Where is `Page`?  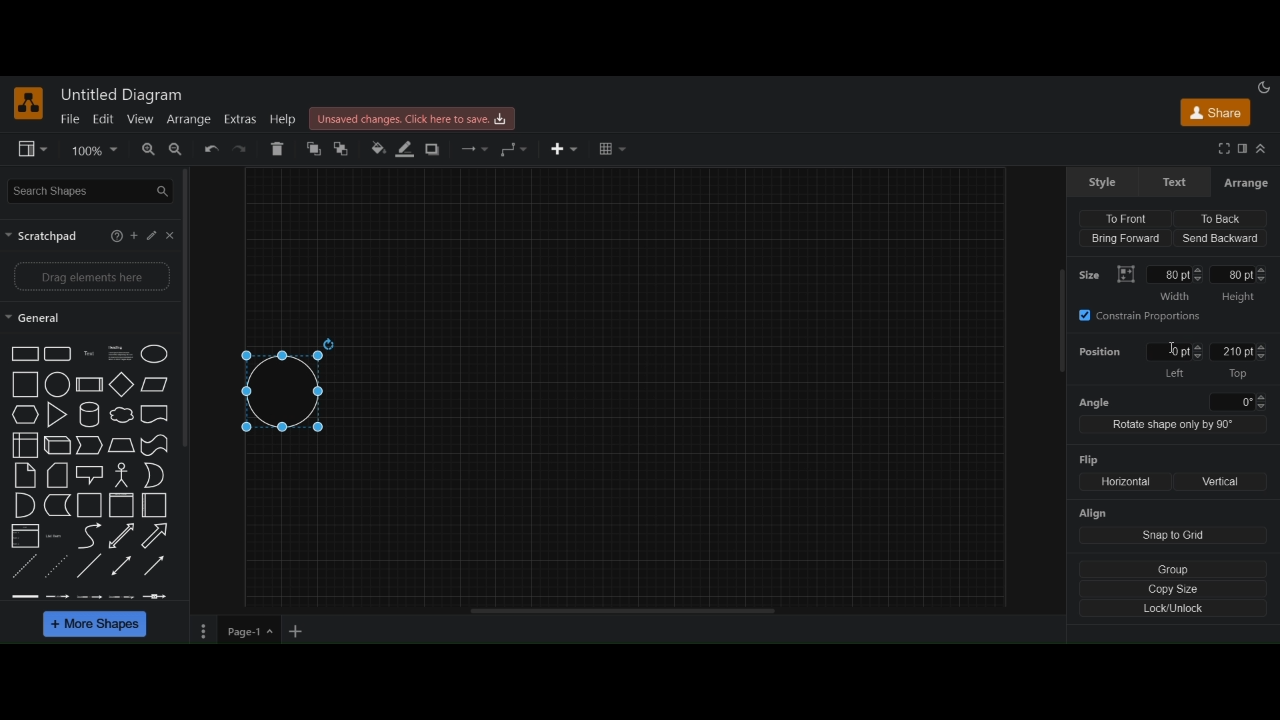
Page is located at coordinates (25, 476).